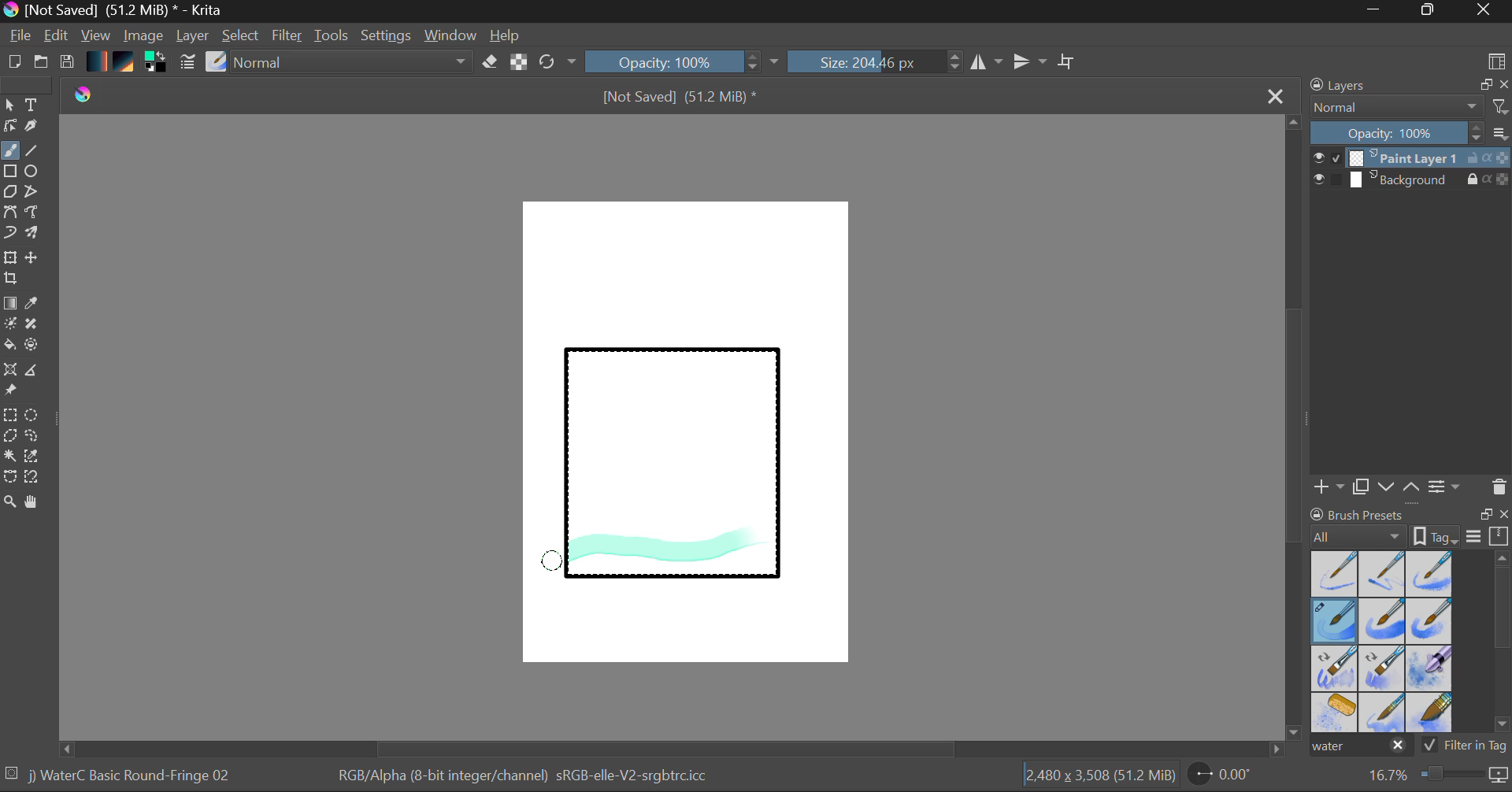 This screenshot has width=1512, height=792. Describe the element at coordinates (1383, 622) in the screenshot. I see `Water C - Grain` at that location.